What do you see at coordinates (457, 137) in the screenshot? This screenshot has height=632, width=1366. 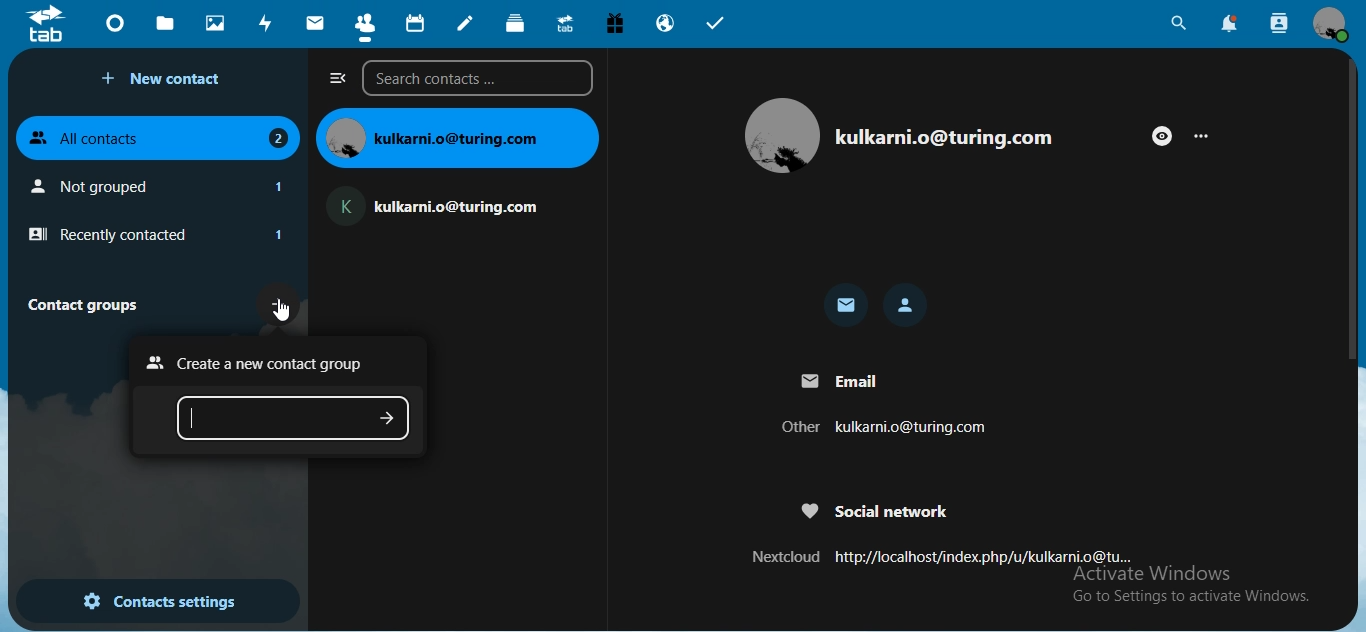 I see `kulkarni.o@turing.com` at bounding box center [457, 137].